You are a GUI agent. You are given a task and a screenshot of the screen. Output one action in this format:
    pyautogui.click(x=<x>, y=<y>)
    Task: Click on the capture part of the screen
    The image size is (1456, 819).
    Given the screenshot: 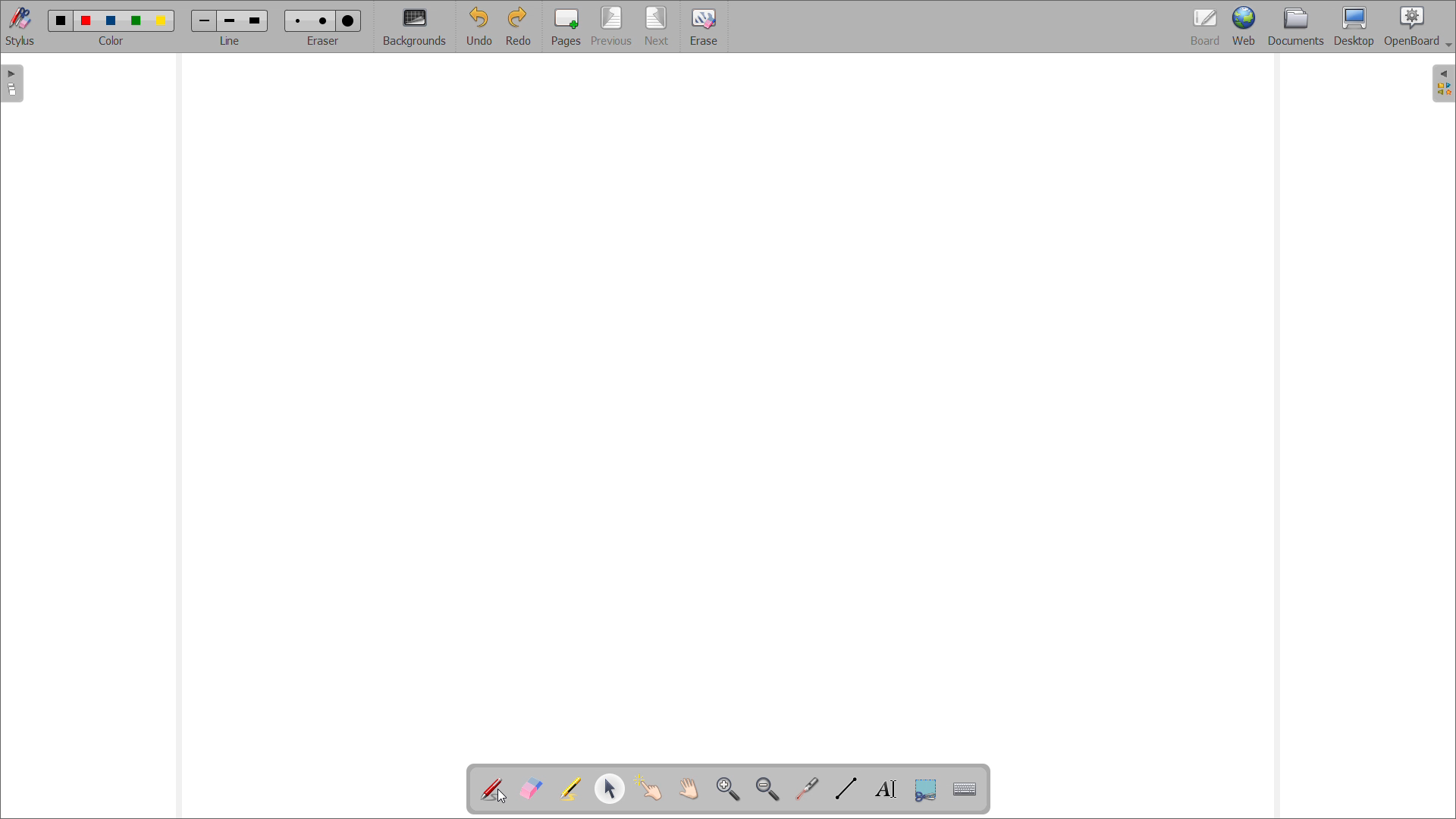 What is the action you would take?
    pyautogui.click(x=926, y=789)
    